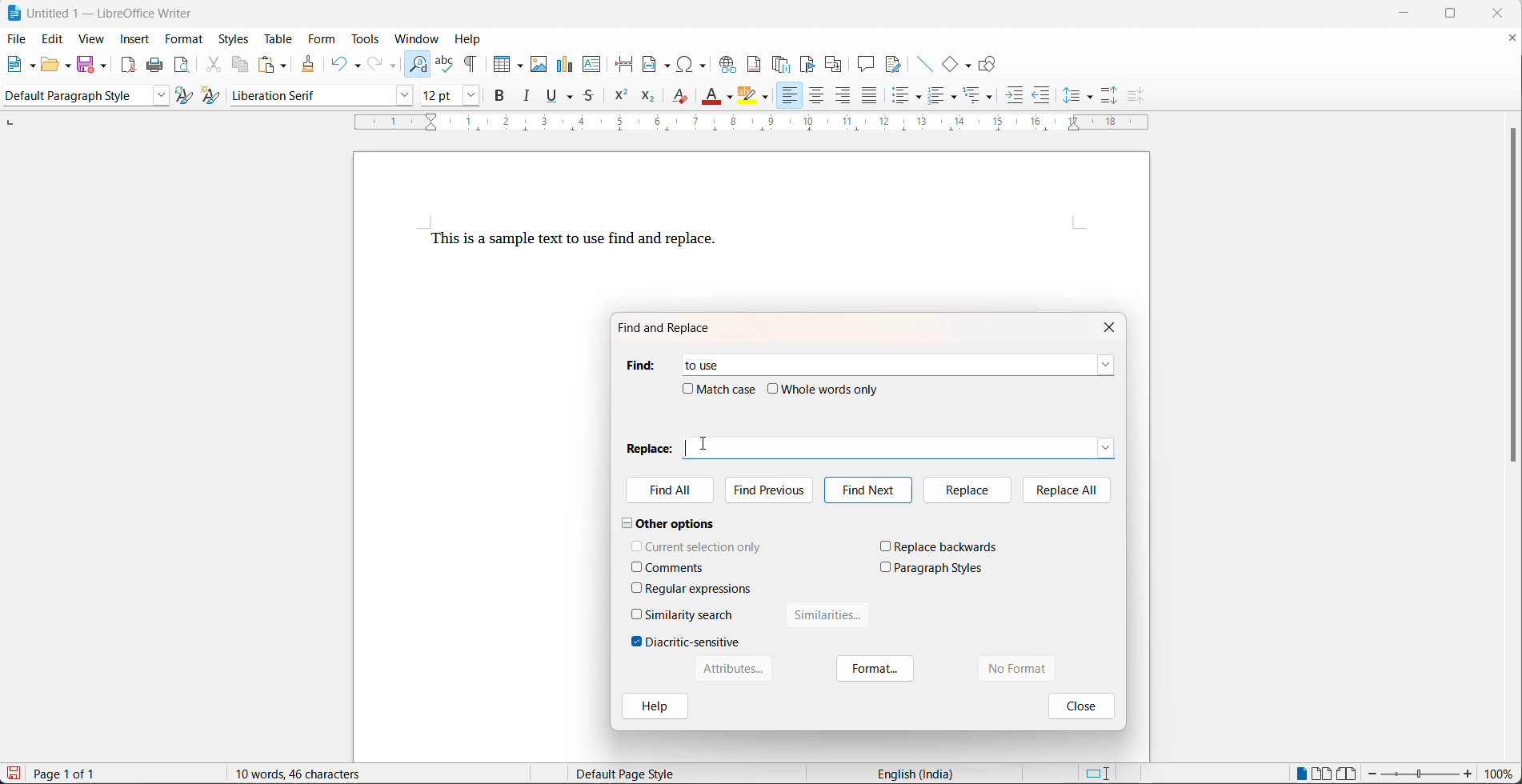  What do you see at coordinates (886, 546) in the screenshot?
I see `checkbox` at bounding box center [886, 546].